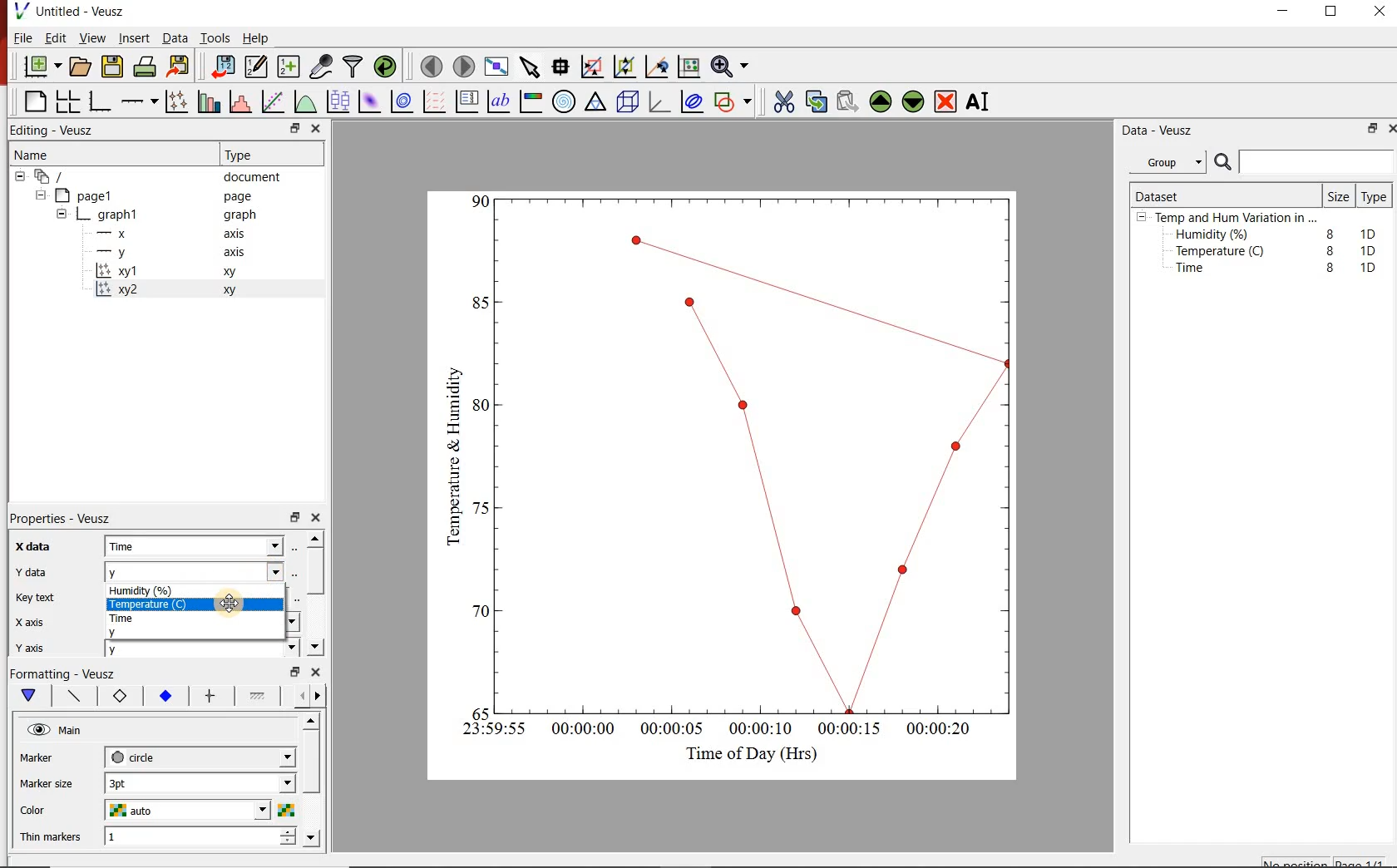 This screenshot has width=1397, height=868. Describe the element at coordinates (136, 757) in the screenshot. I see `circle` at that location.